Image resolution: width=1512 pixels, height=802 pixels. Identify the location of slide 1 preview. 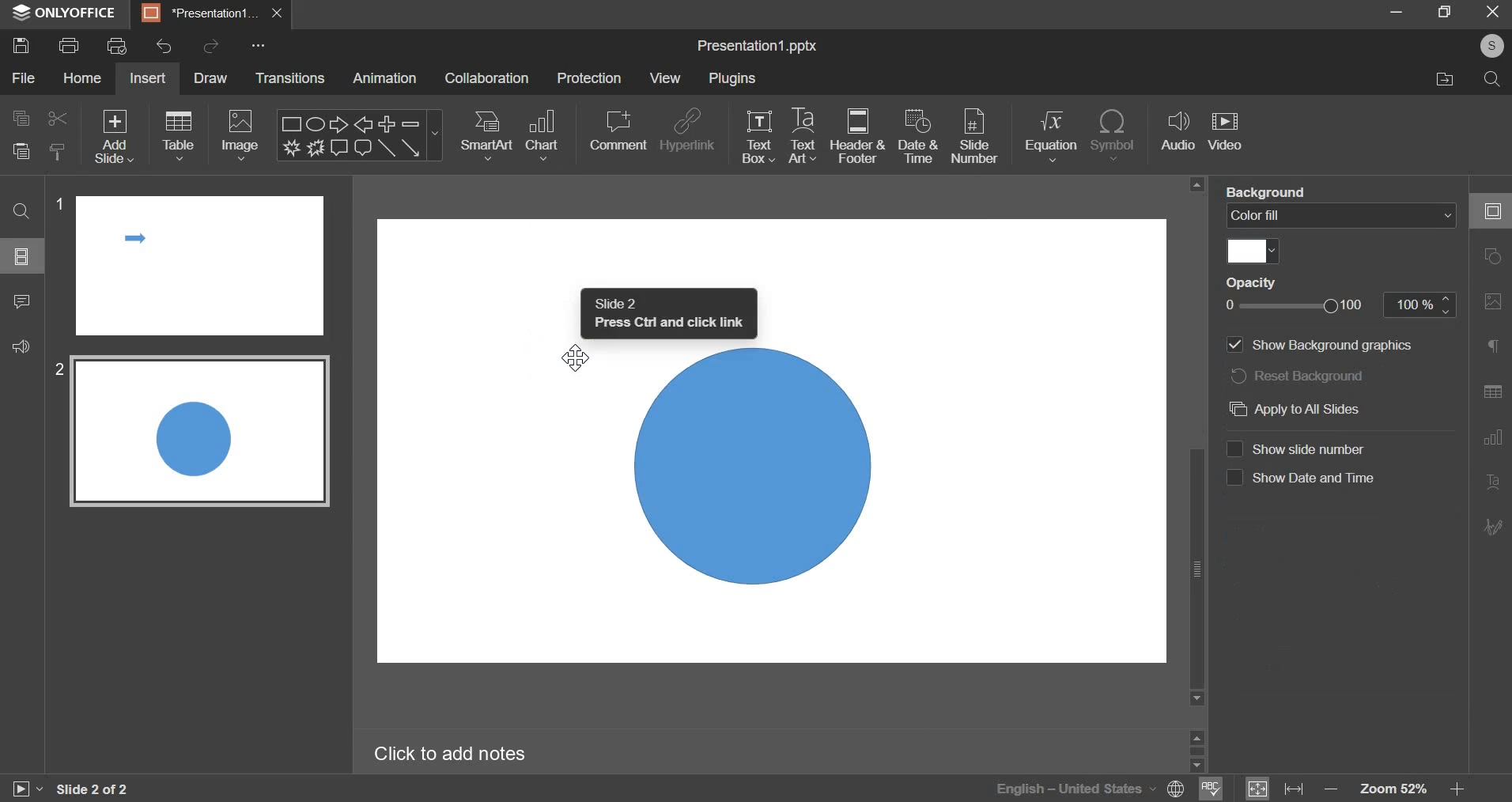
(202, 267).